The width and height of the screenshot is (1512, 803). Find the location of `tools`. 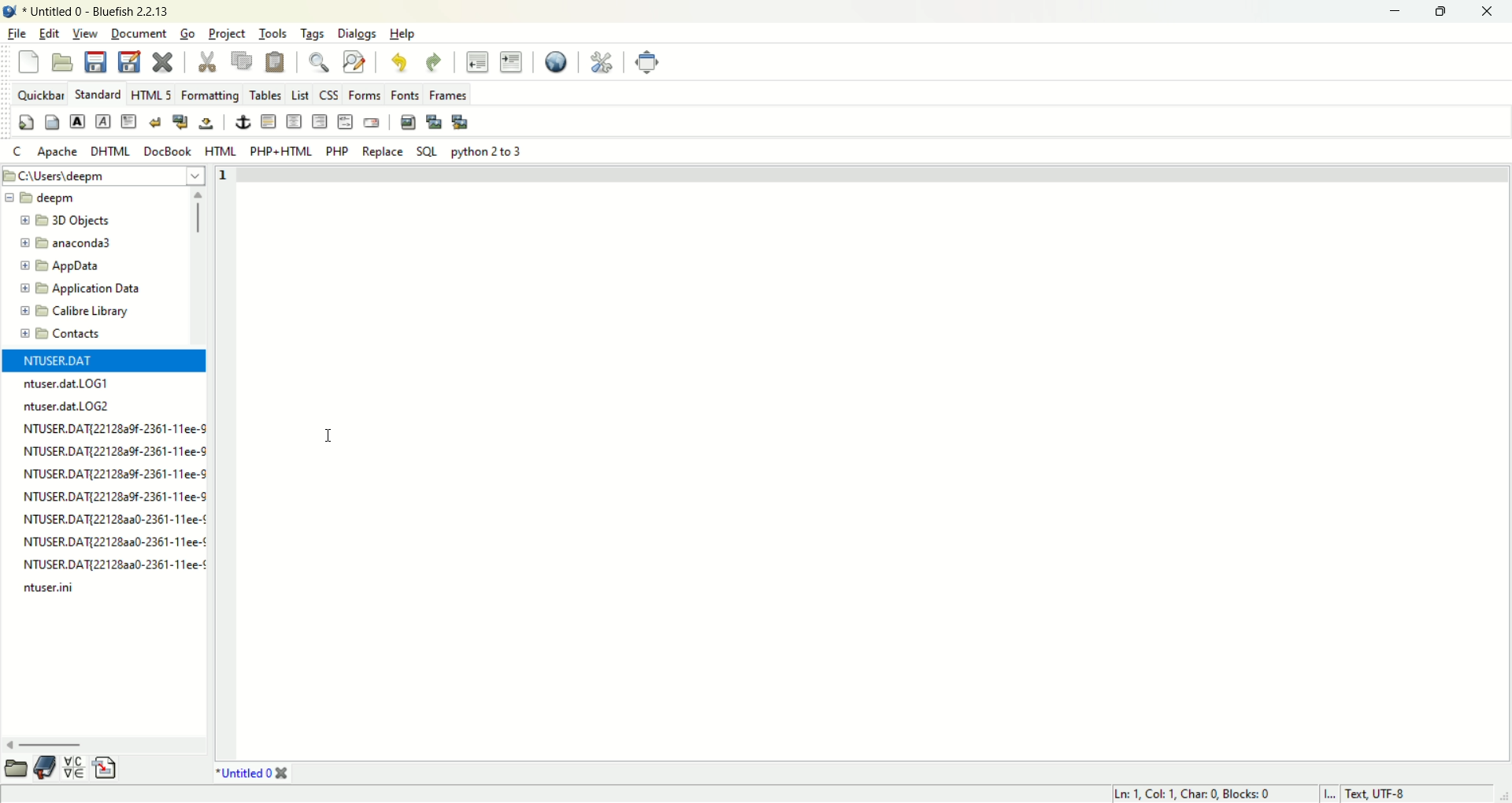

tools is located at coordinates (272, 35).